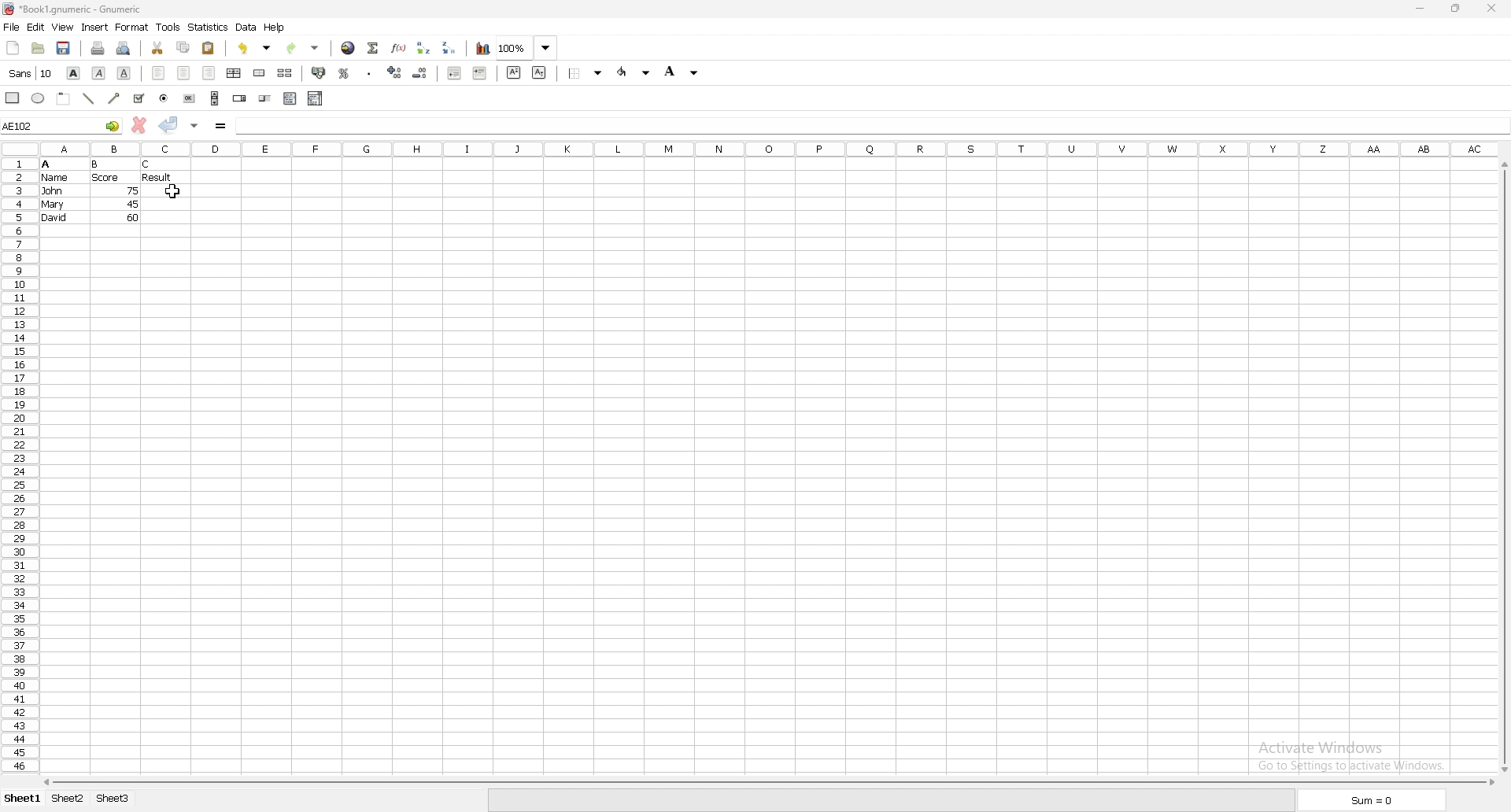 Image resolution: width=1511 pixels, height=812 pixels. I want to click on column, so click(776, 149).